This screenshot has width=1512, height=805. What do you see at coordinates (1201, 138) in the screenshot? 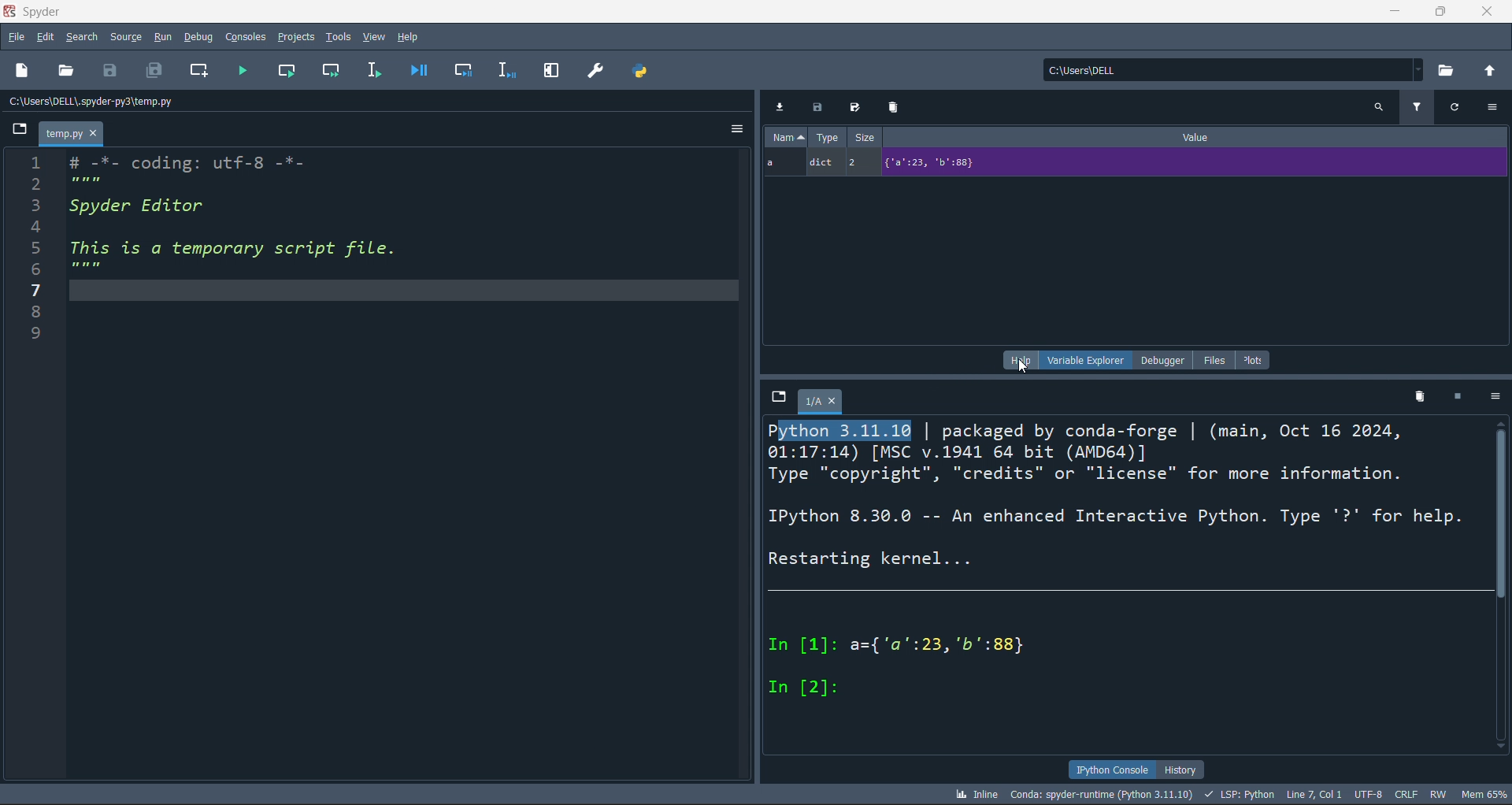
I see `value` at bounding box center [1201, 138].